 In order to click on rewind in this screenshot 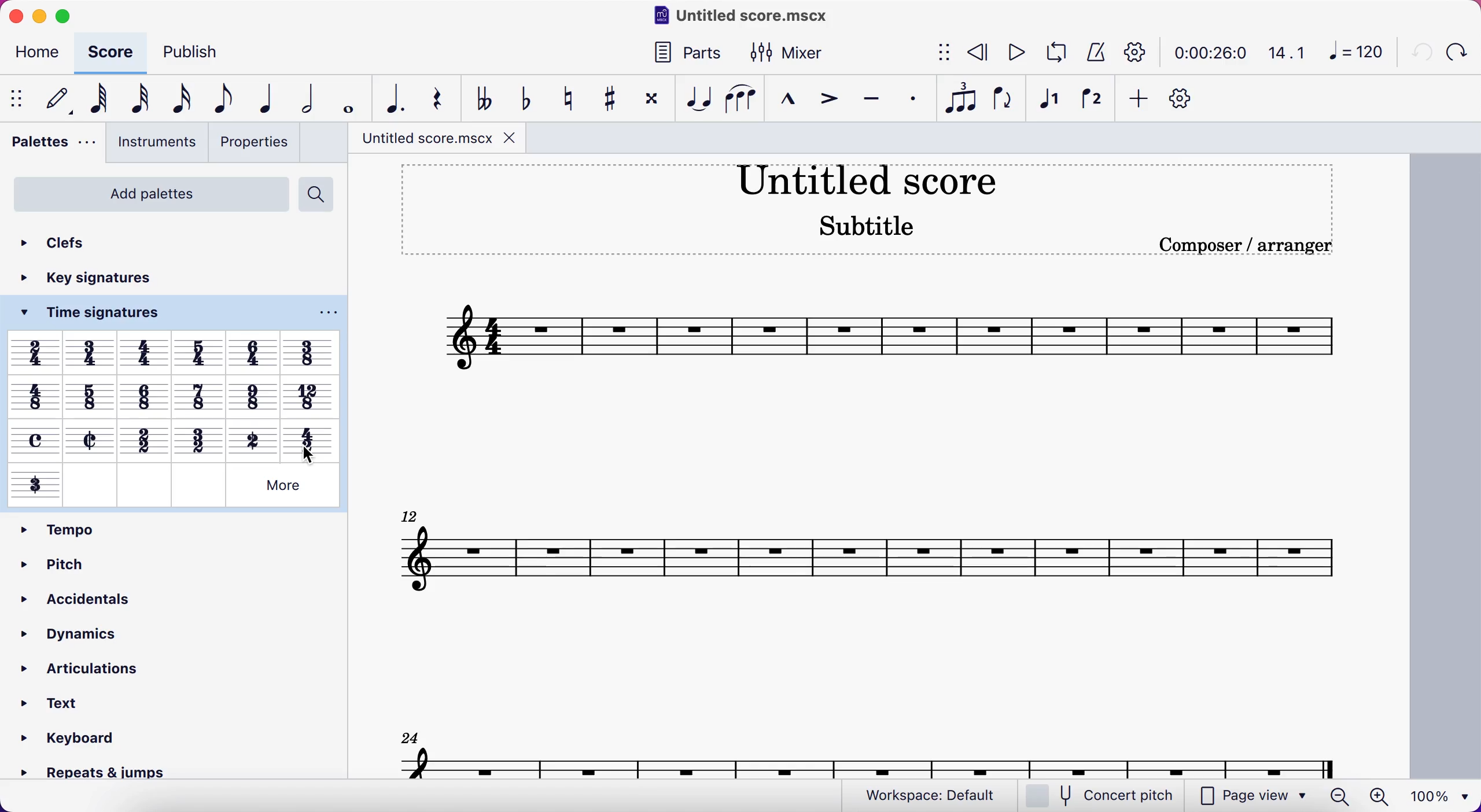, I will do `click(973, 54)`.